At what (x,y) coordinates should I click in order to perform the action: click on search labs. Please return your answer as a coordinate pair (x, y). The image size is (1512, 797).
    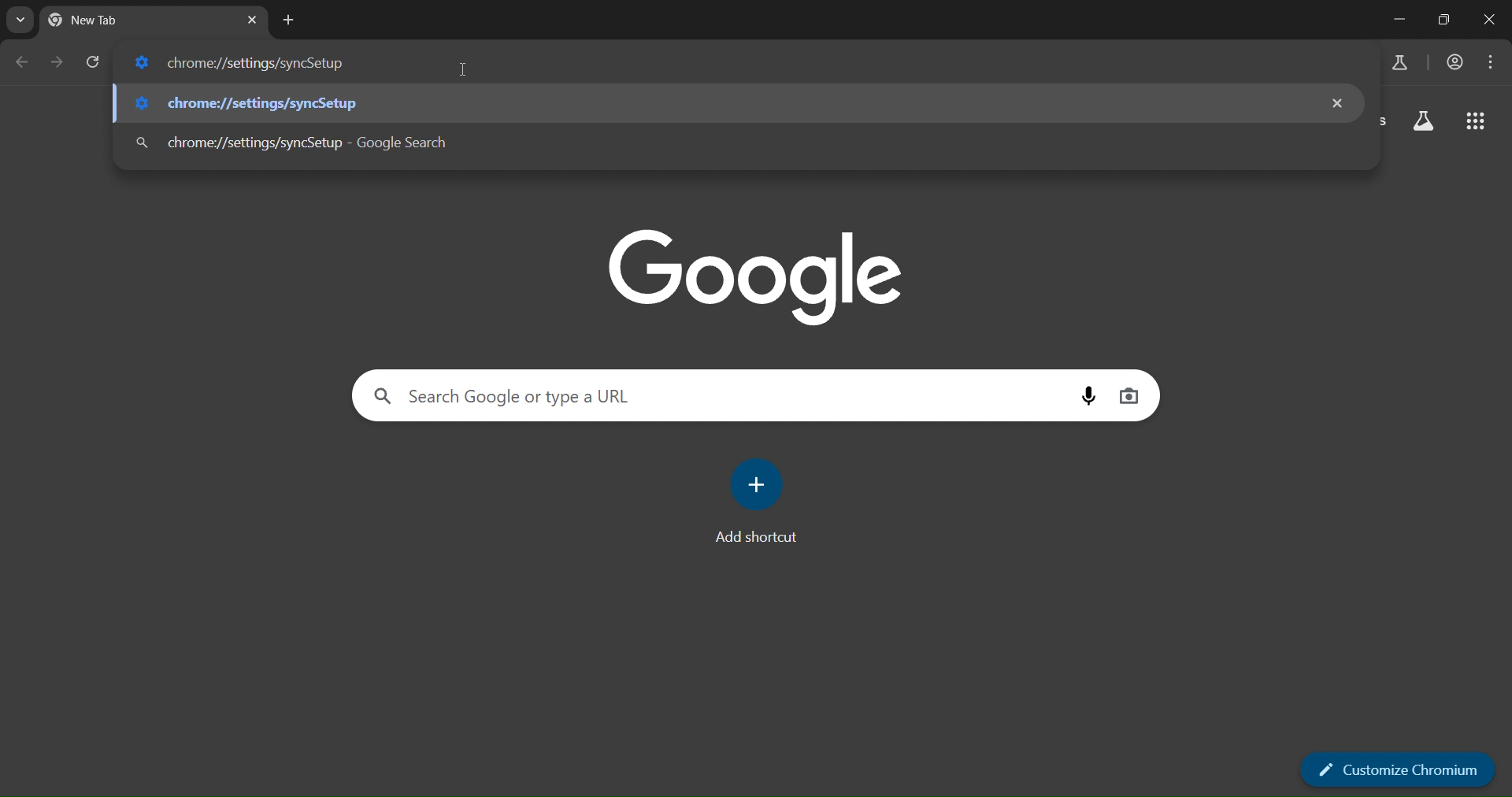
    Looking at the image, I should click on (1399, 63).